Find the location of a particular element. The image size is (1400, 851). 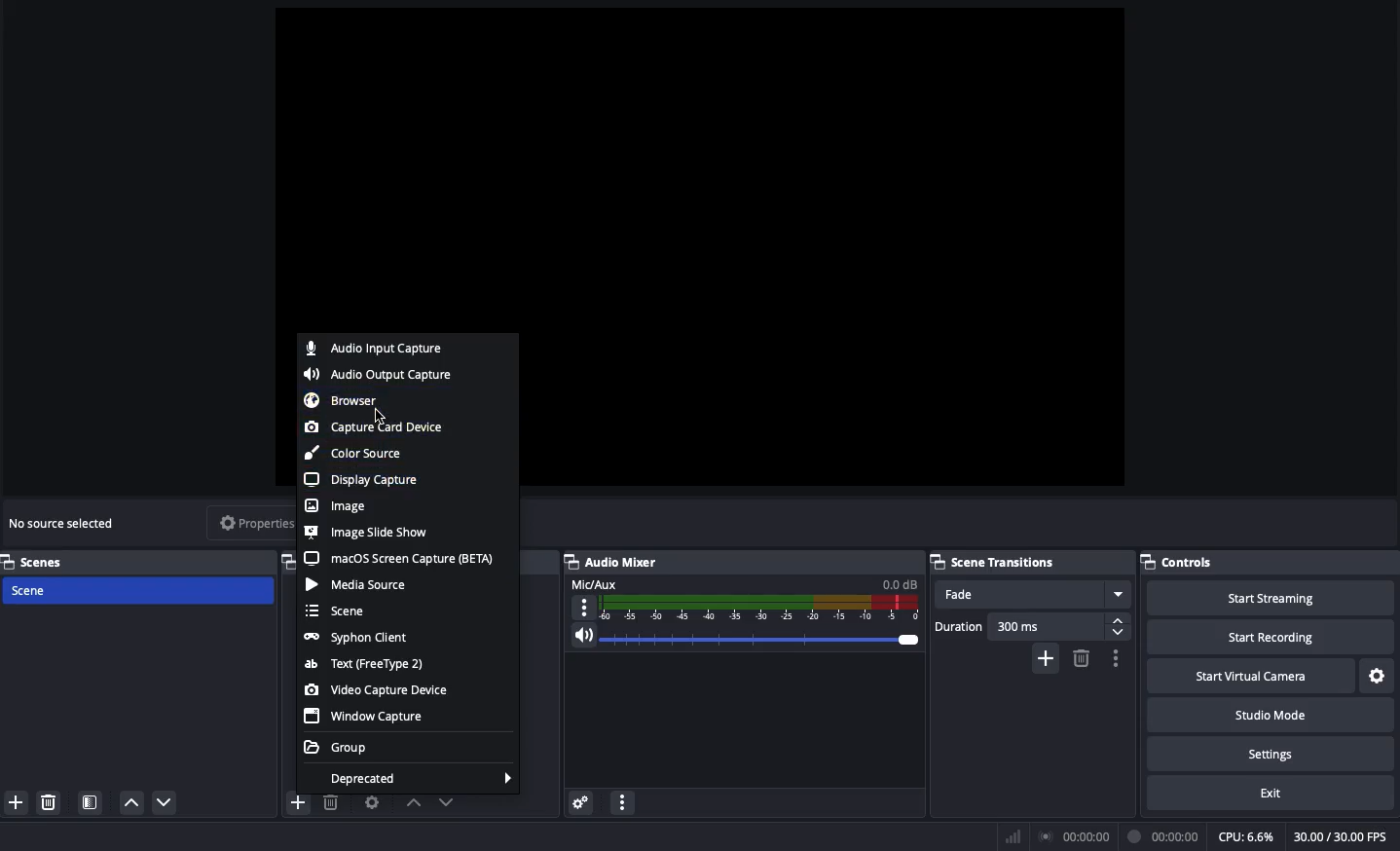

Mic aux is located at coordinates (741, 600).